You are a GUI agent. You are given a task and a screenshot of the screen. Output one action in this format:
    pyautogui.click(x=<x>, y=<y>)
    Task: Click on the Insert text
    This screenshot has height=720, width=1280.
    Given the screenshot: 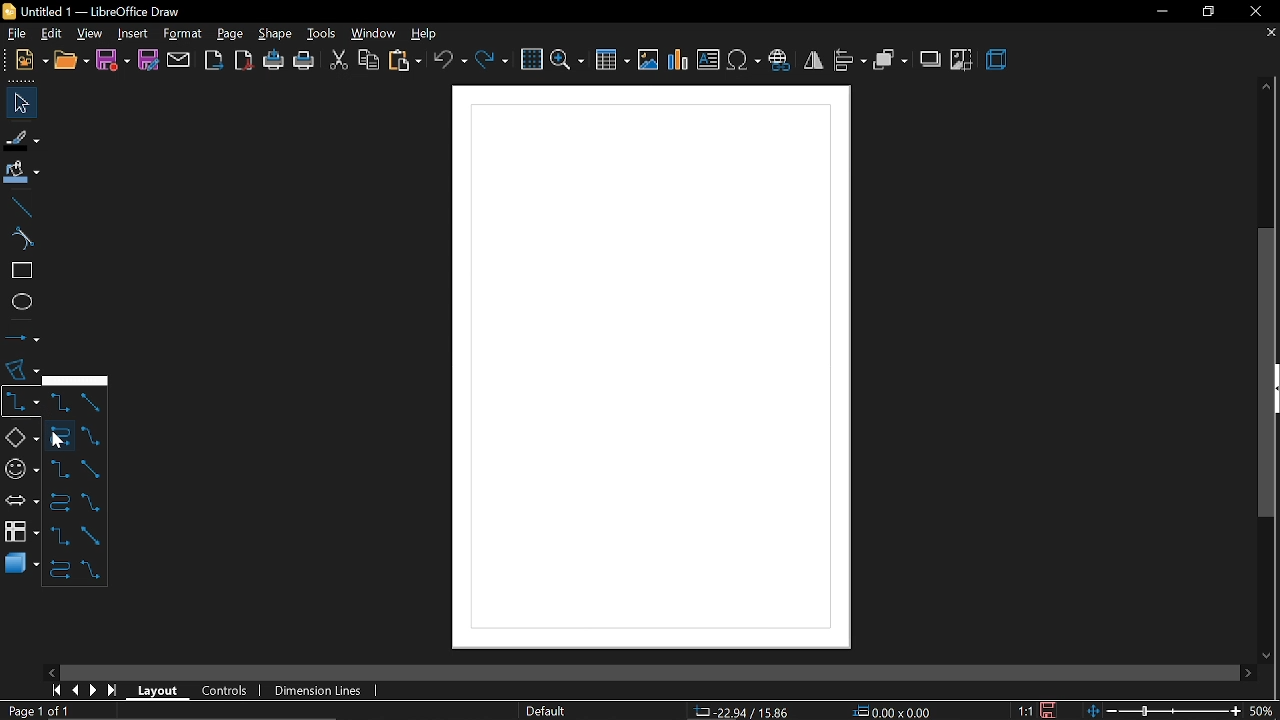 What is the action you would take?
    pyautogui.click(x=708, y=60)
    